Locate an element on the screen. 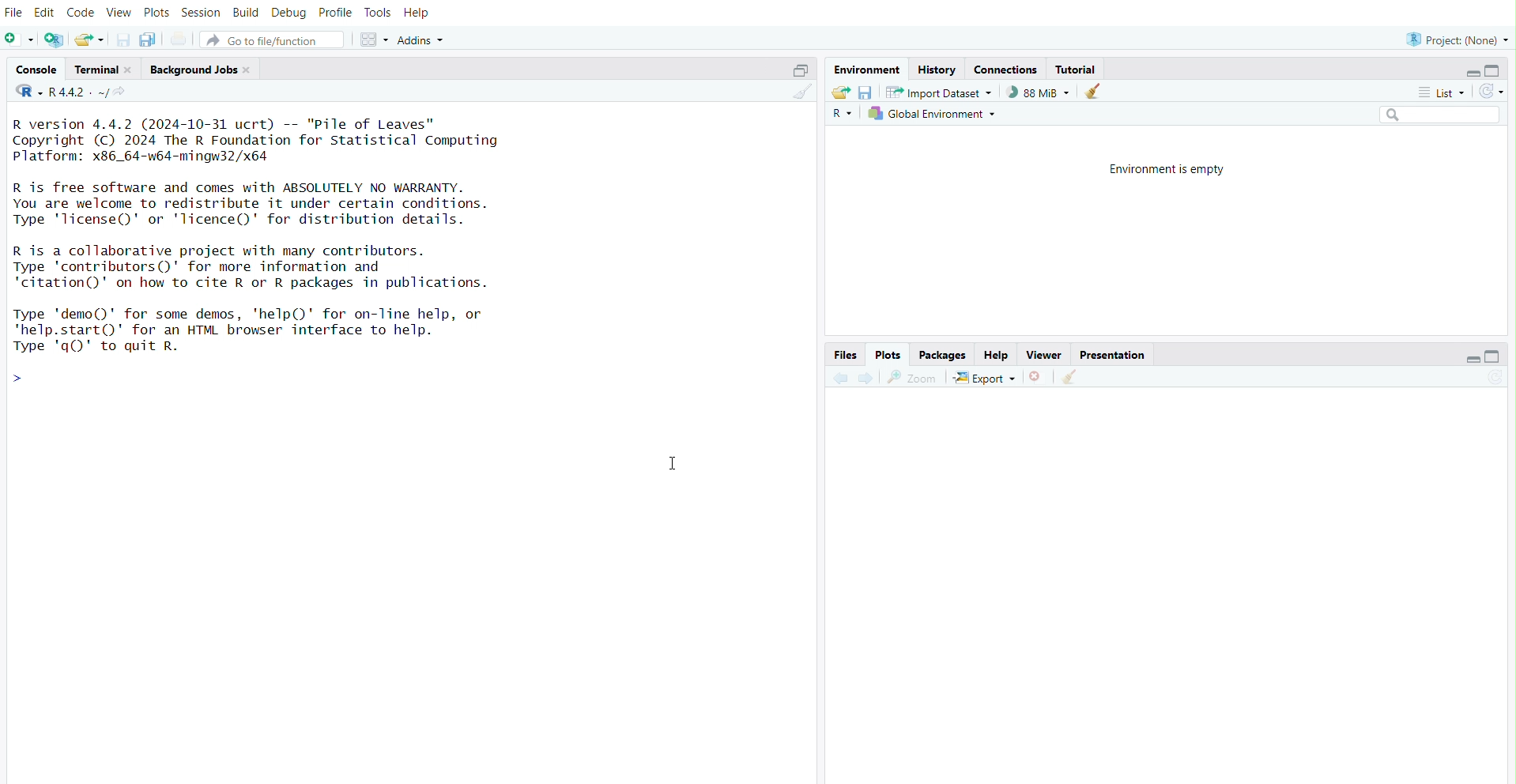  background jobs is located at coordinates (194, 70).